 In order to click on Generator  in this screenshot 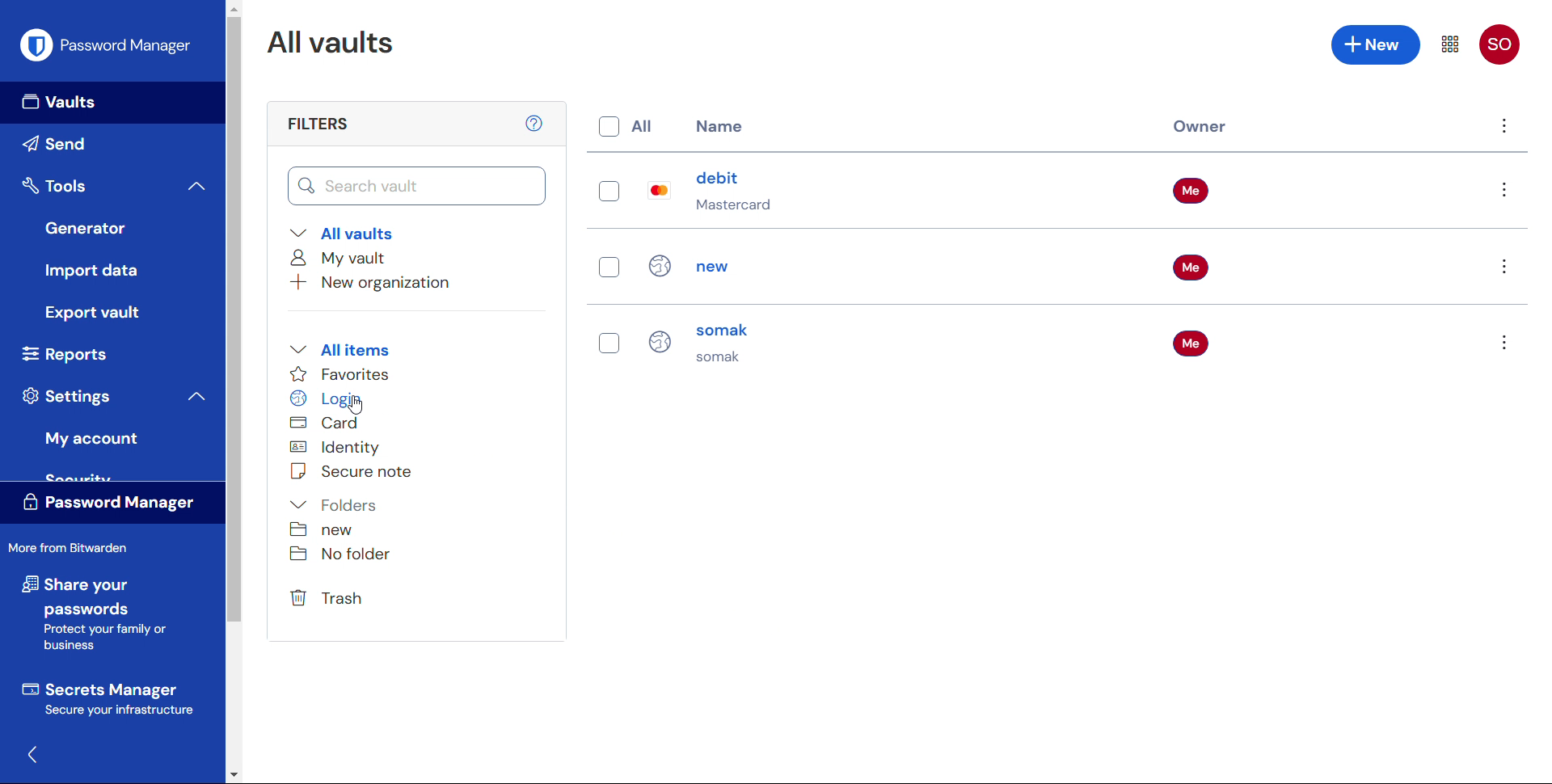, I will do `click(84, 228)`.